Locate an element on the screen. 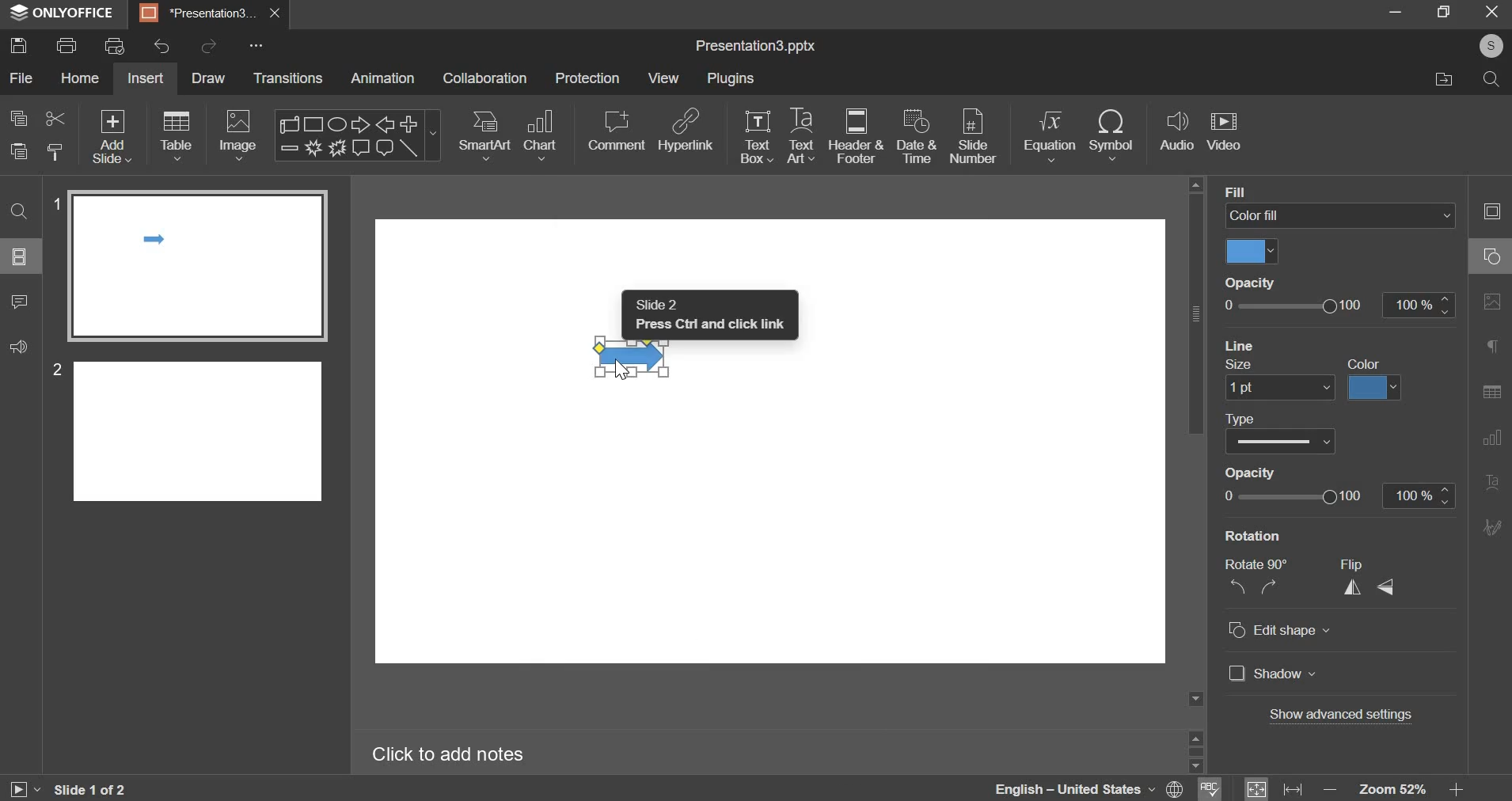 The width and height of the screenshot is (1512, 801). plugins is located at coordinates (731, 78).